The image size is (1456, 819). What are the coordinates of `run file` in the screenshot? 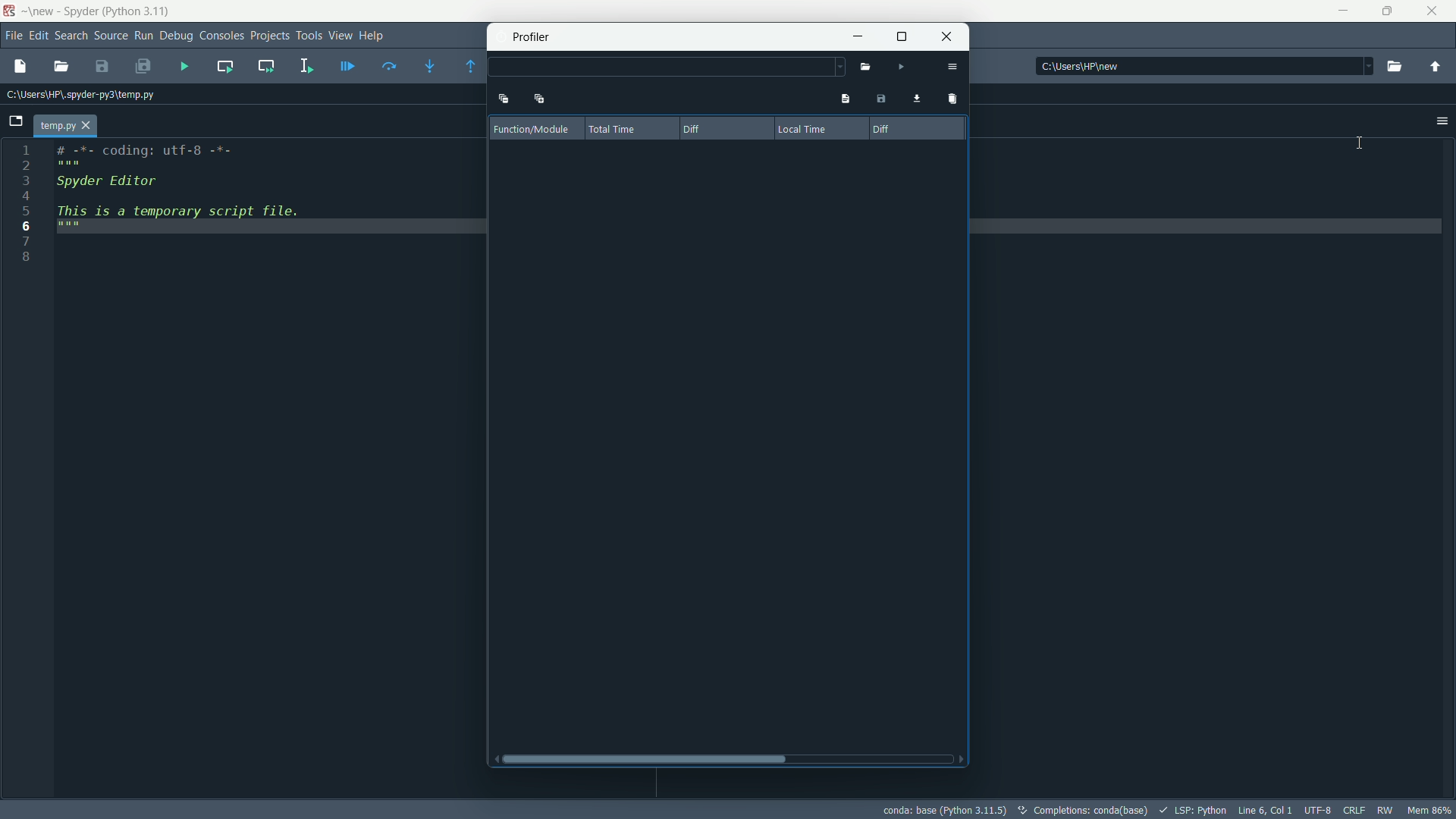 It's located at (903, 67).